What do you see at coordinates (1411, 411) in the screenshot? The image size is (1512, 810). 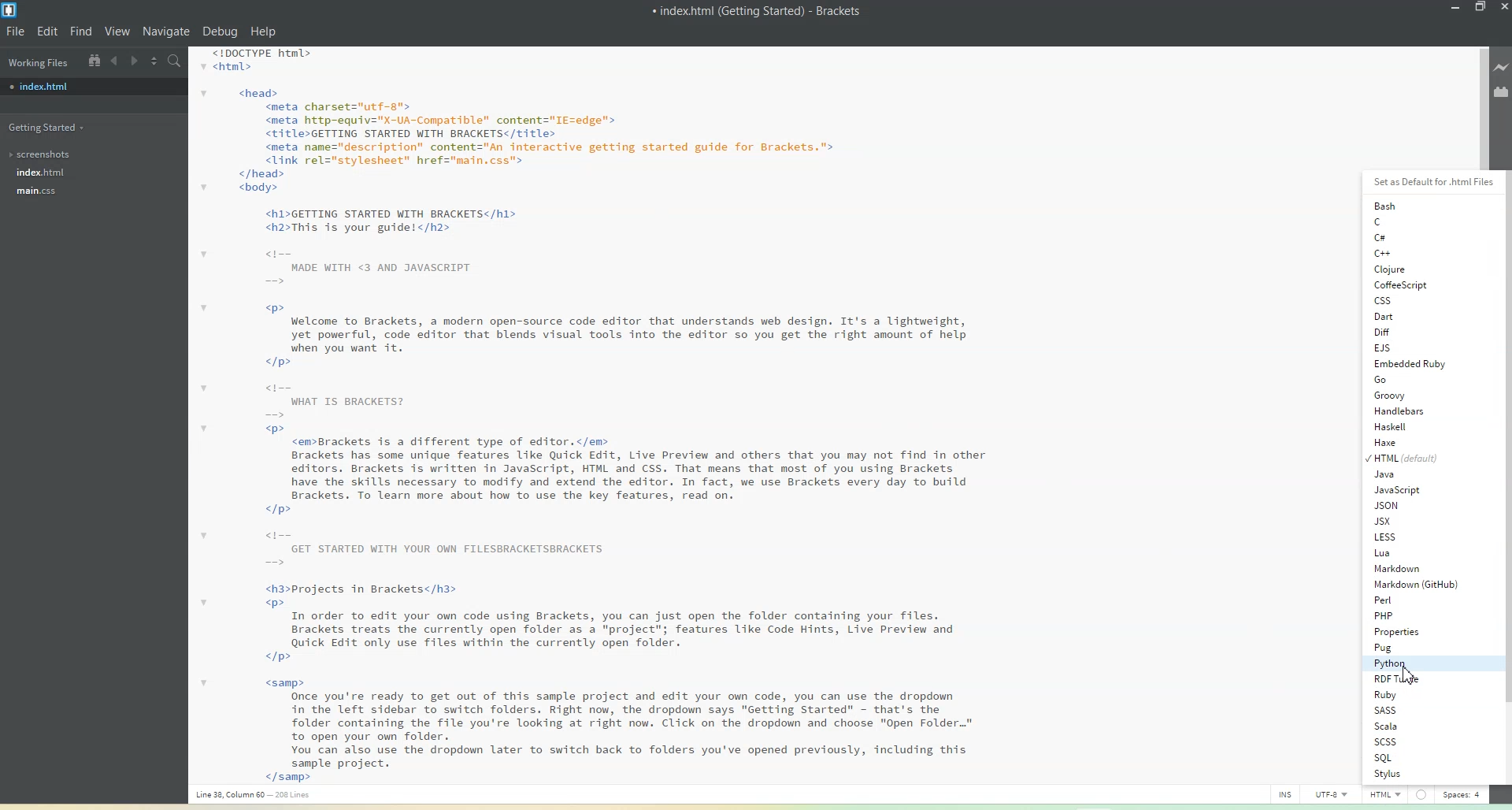 I see `Handlebars` at bounding box center [1411, 411].